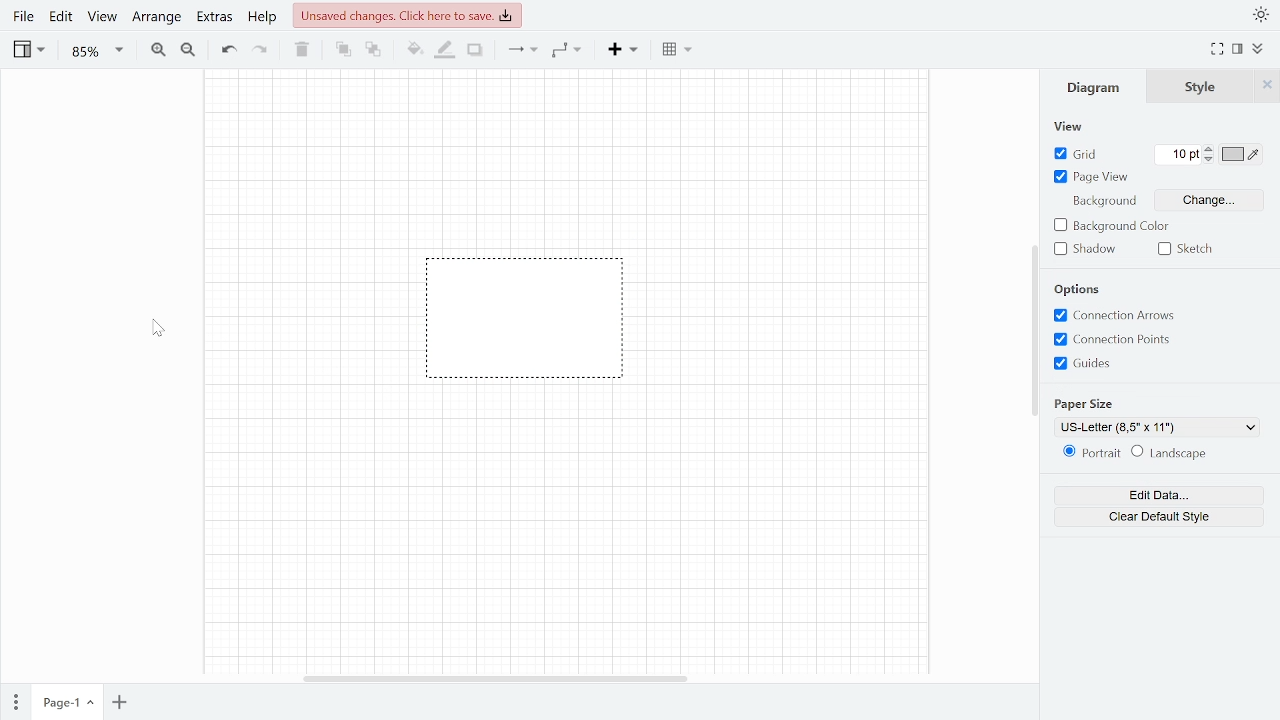  Describe the element at coordinates (446, 50) in the screenshot. I see `Fill line` at that location.